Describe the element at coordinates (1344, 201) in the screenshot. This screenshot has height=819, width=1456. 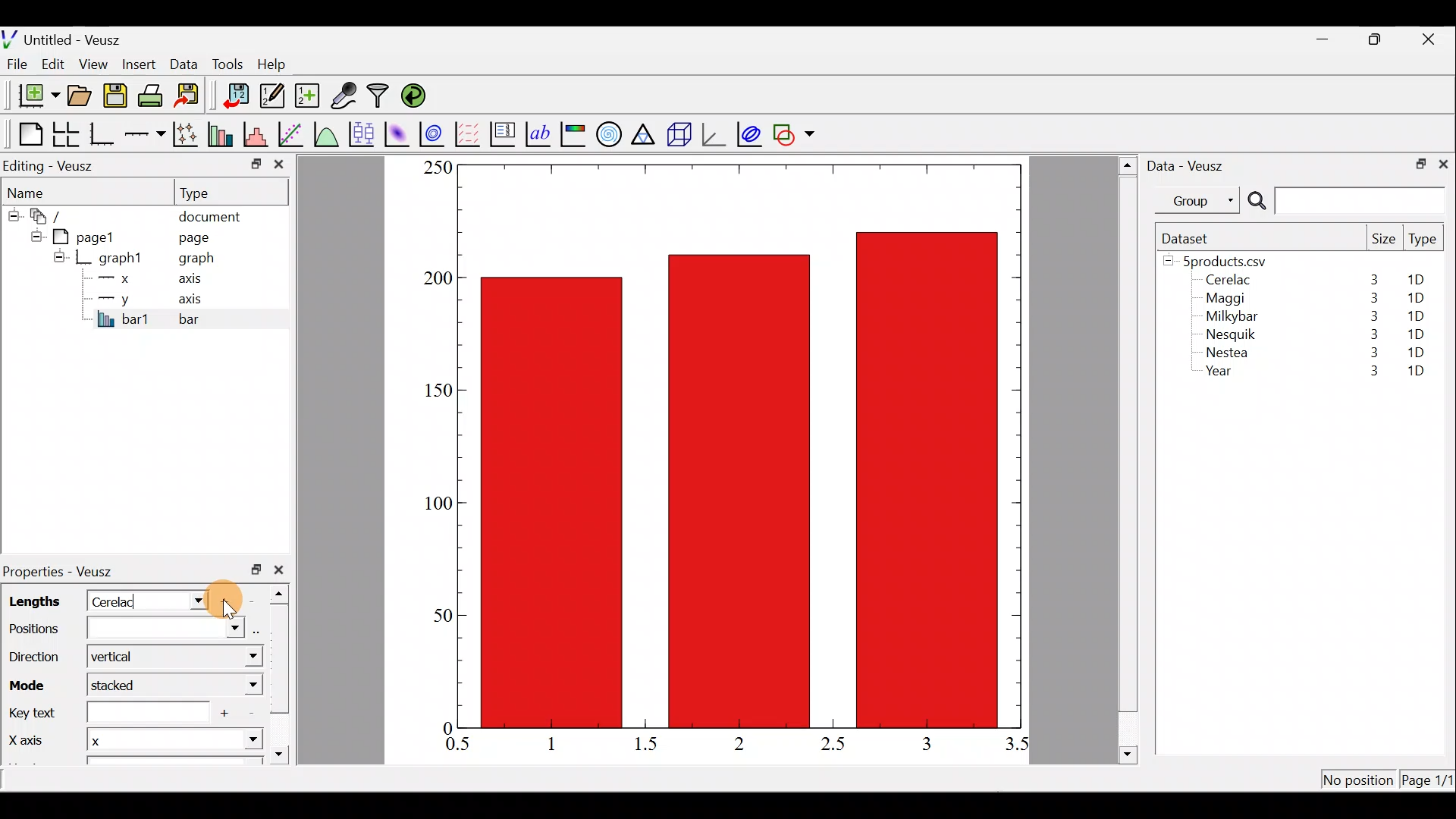
I see `Search bar` at that location.